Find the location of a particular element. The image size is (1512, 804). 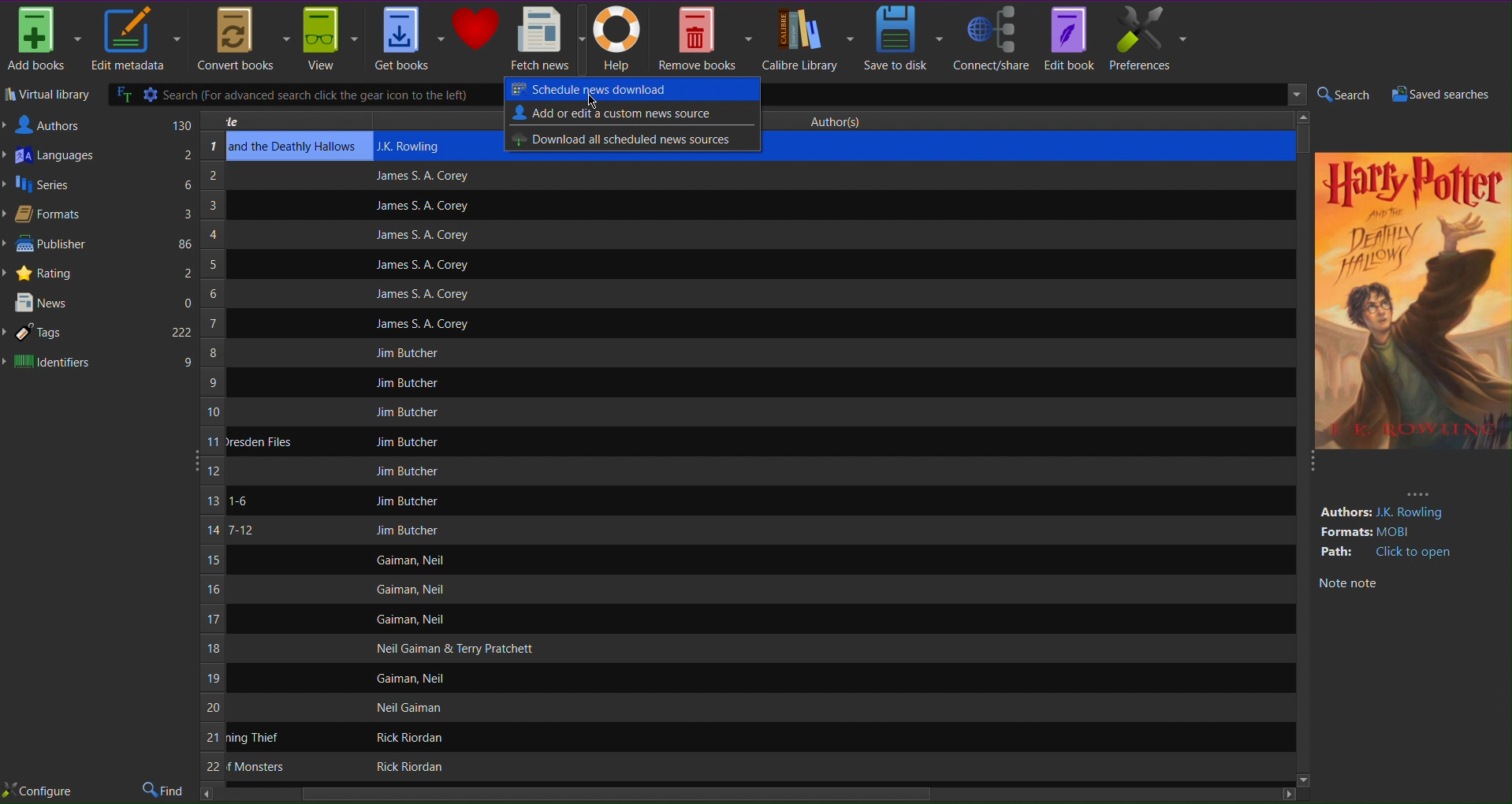

Convert is located at coordinates (240, 39).